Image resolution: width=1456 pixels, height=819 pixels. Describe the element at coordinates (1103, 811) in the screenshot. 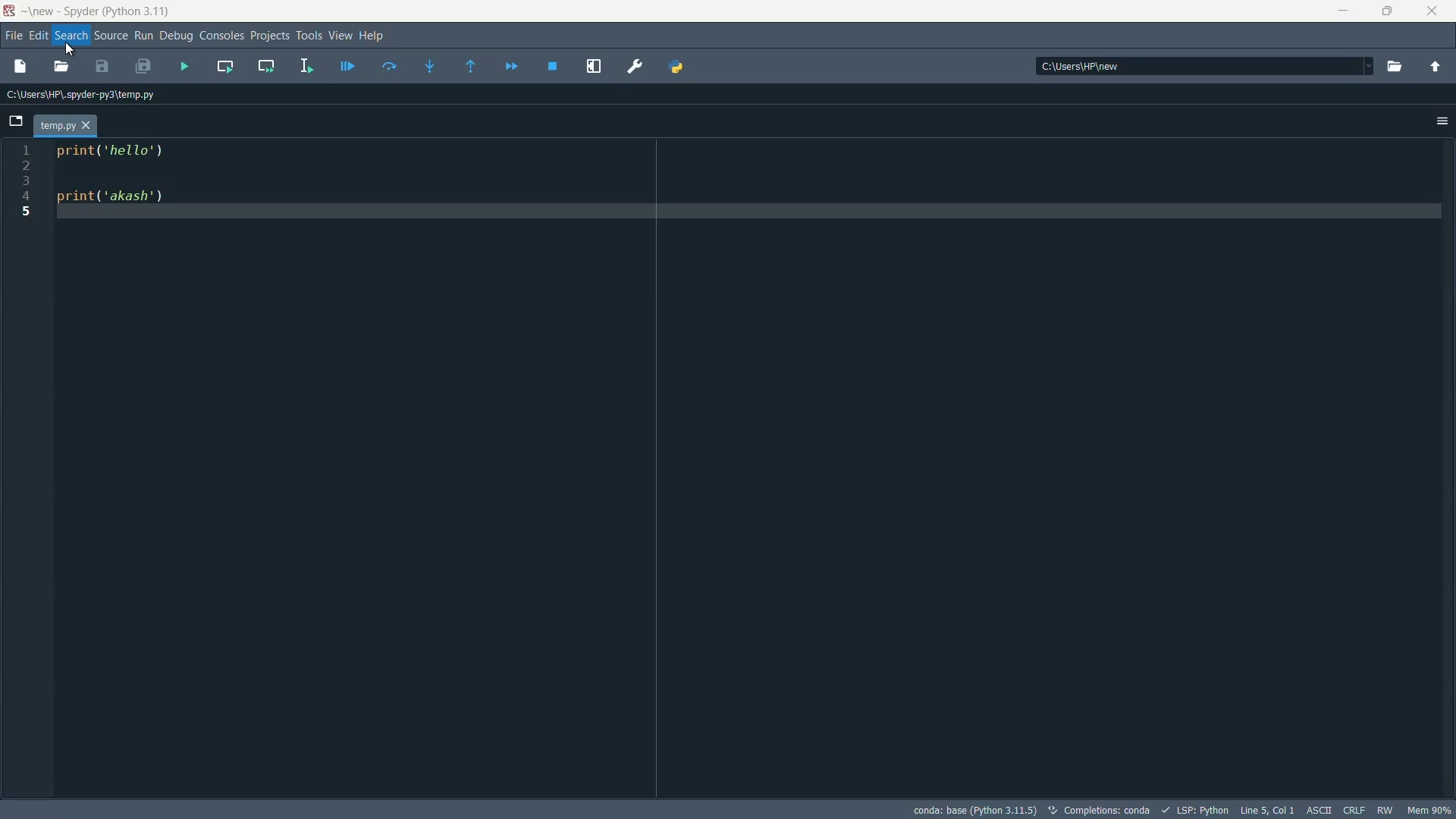

I see `Completions: conda` at that location.